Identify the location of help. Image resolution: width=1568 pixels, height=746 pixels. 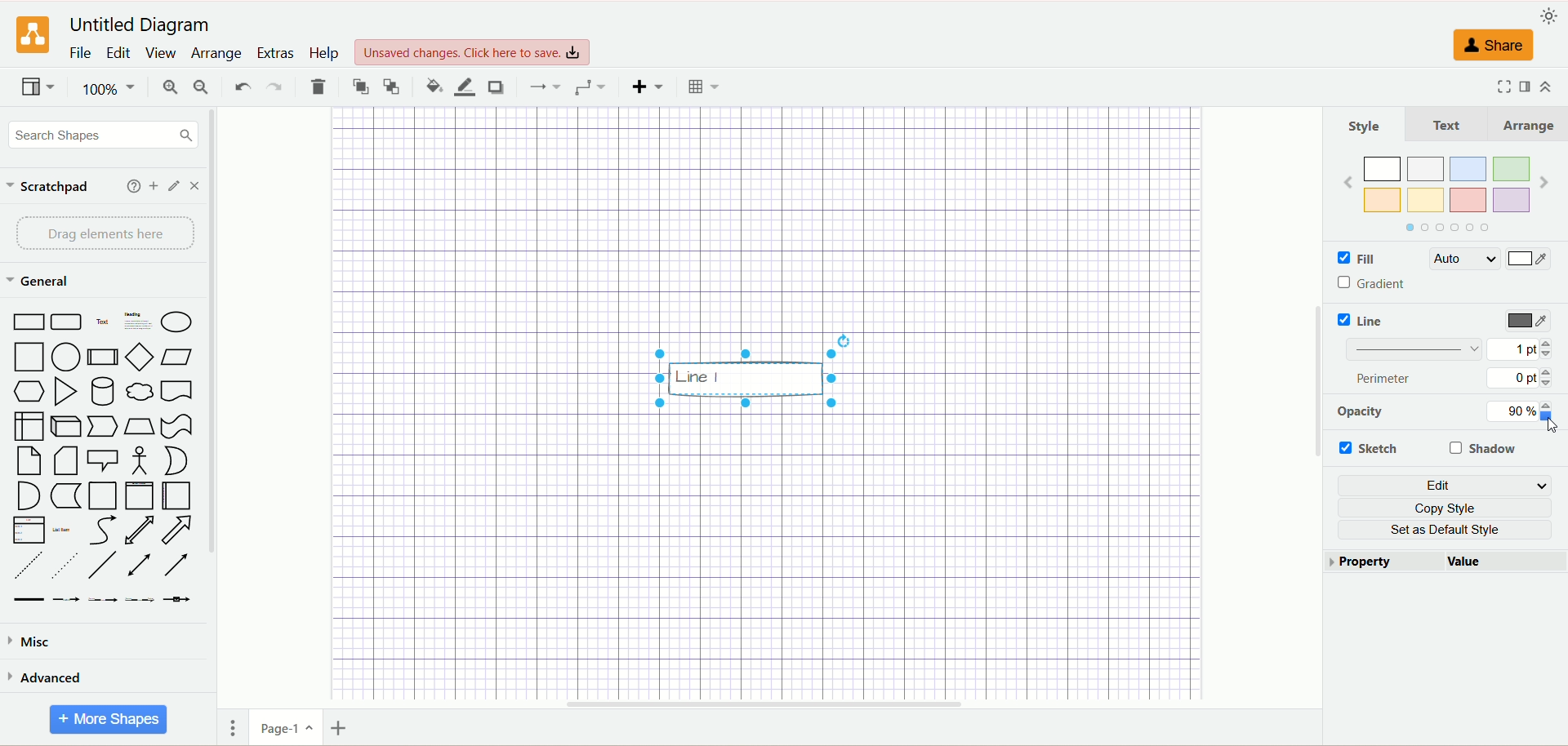
(327, 55).